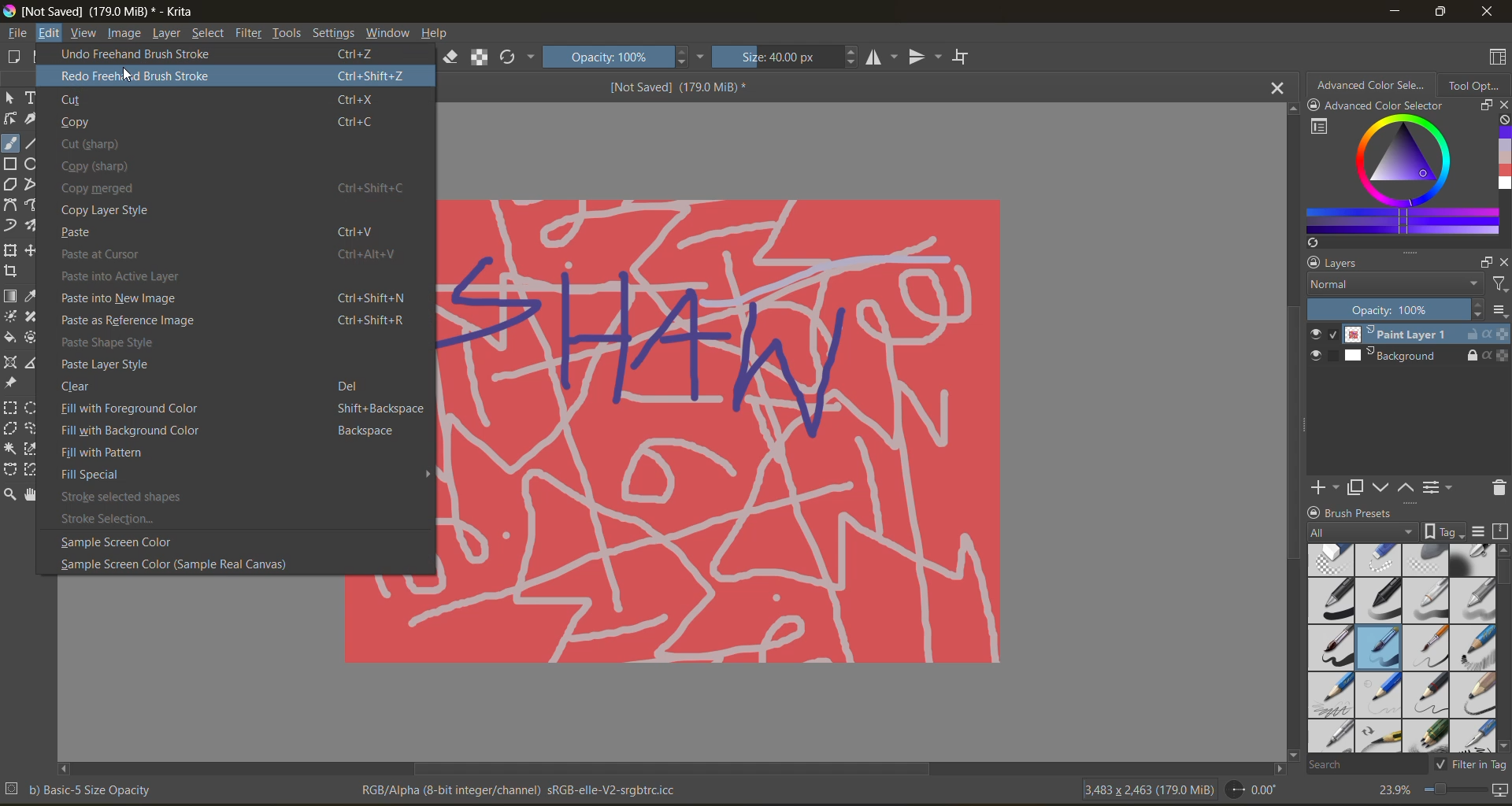 Image resolution: width=1512 pixels, height=806 pixels. Describe the element at coordinates (34, 408) in the screenshot. I see `elliptical selection tool` at that location.